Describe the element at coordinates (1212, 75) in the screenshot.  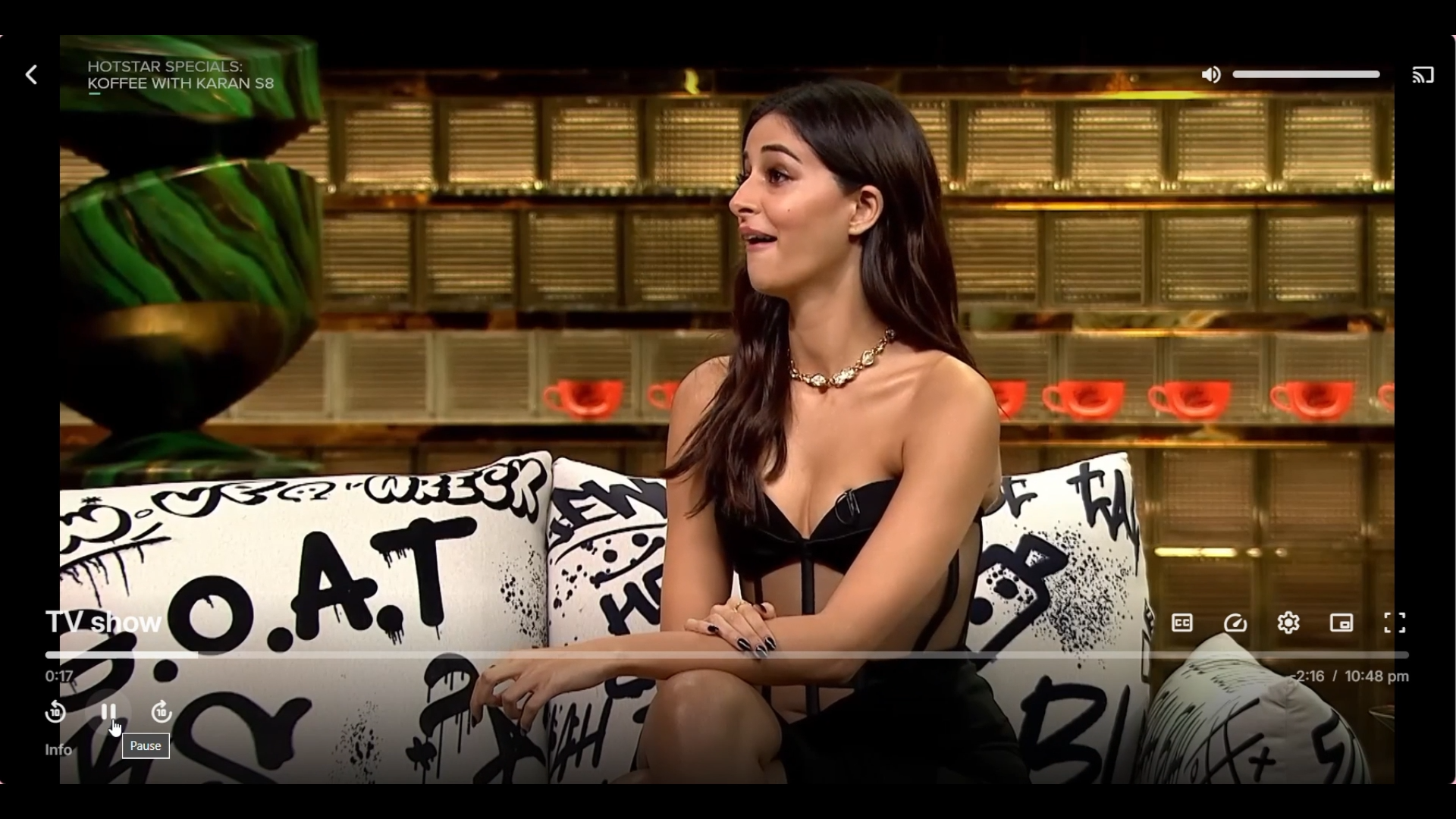
I see `Mute` at that location.